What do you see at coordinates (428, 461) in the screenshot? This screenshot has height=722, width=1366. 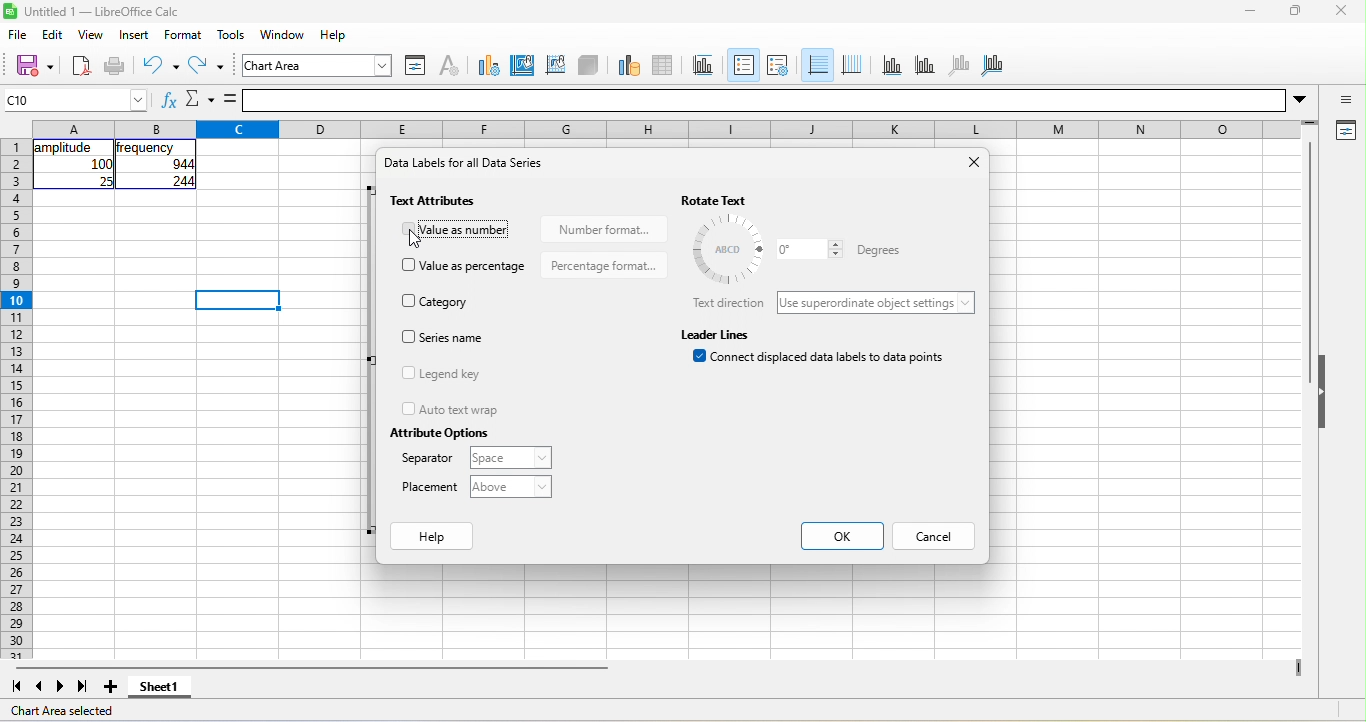 I see `separator` at bounding box center [428, 461].